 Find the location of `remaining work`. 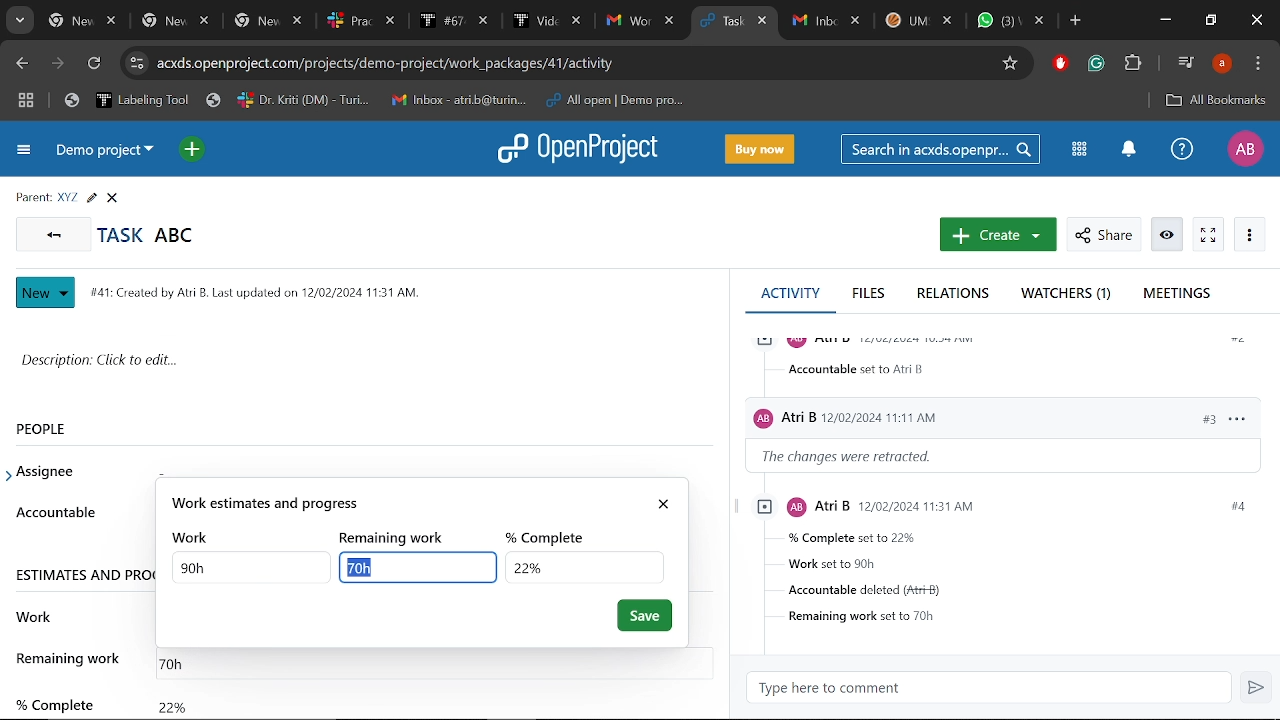

remaining work is located at coordinates (71, 658).